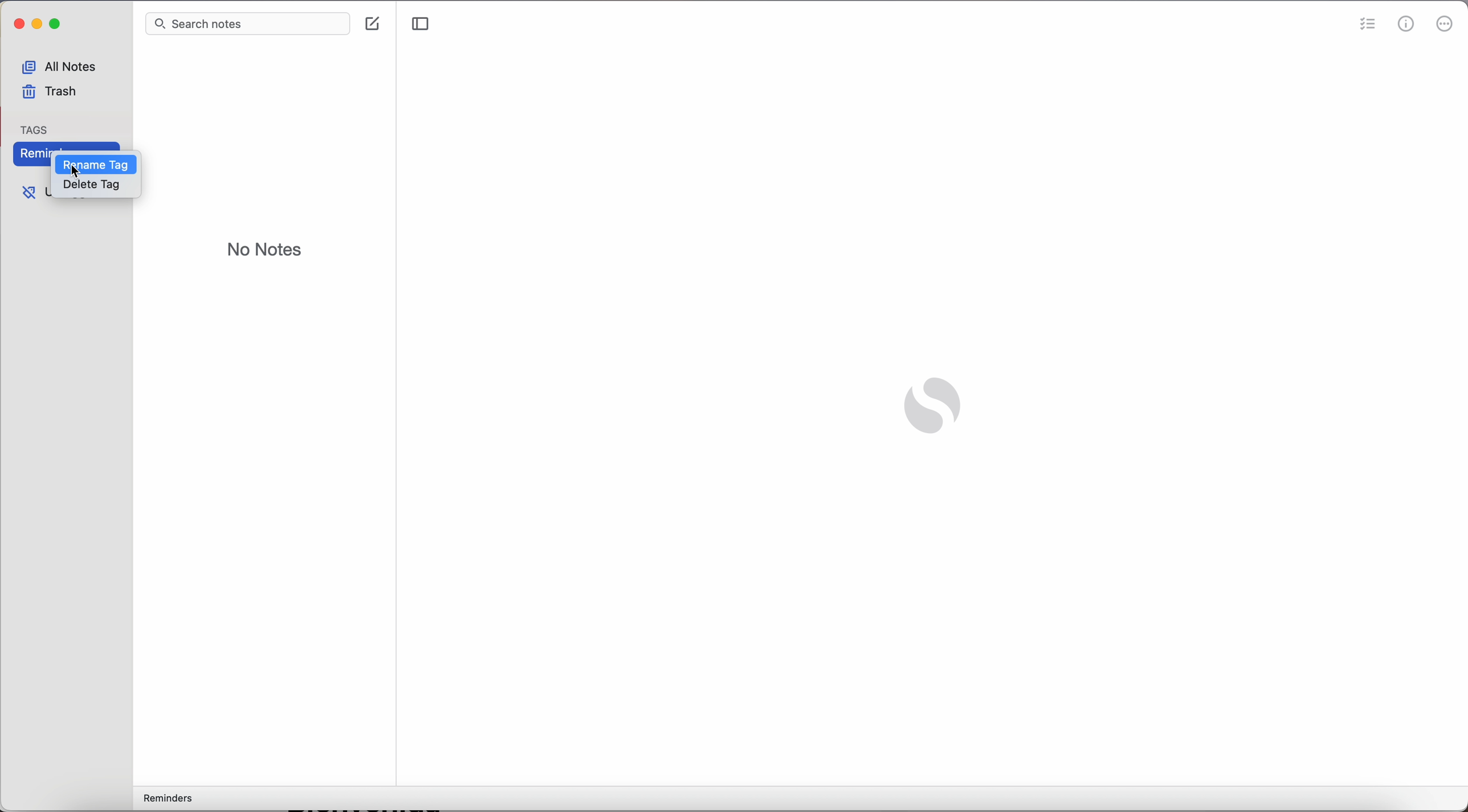 The height and width of the screenshot is (812, 1468). Describe the element at coordinates (1446, 26) in the screenshot. I see `more options` at that location.